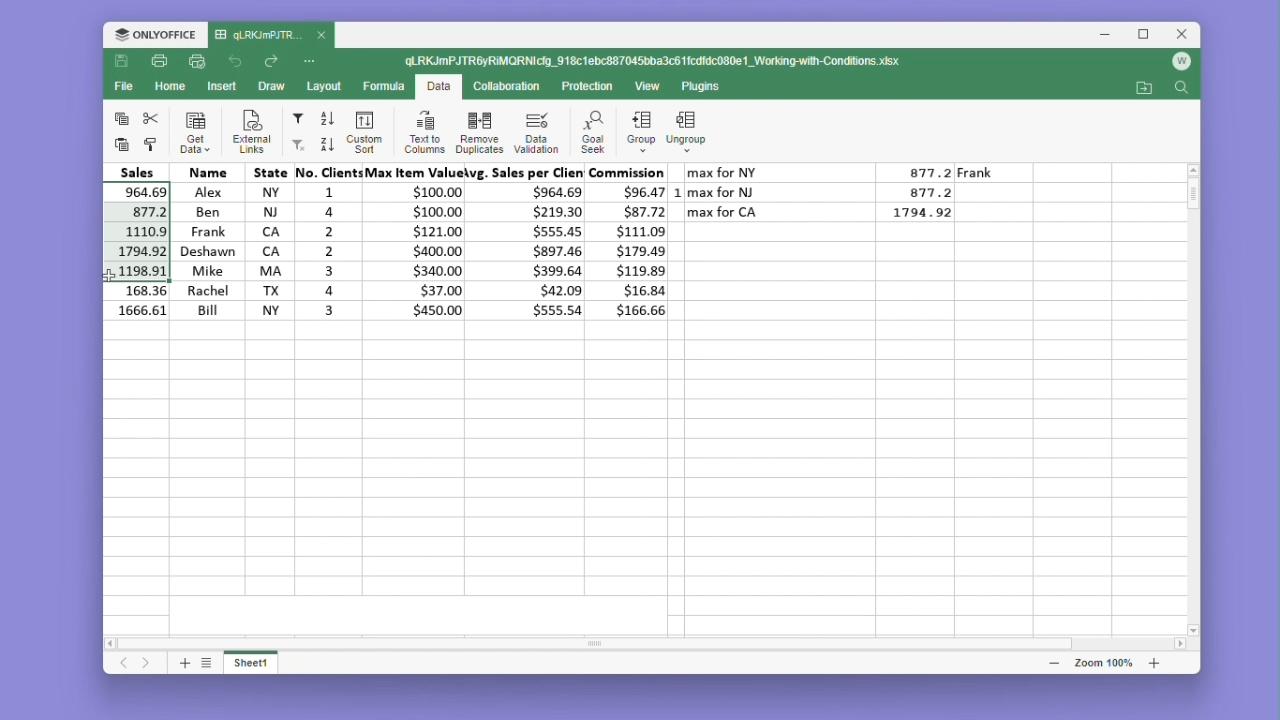  What do you see at coordinates (1146, 88) in the screenshot?
I see `Go to file location` at bounding box center [1146, 88].